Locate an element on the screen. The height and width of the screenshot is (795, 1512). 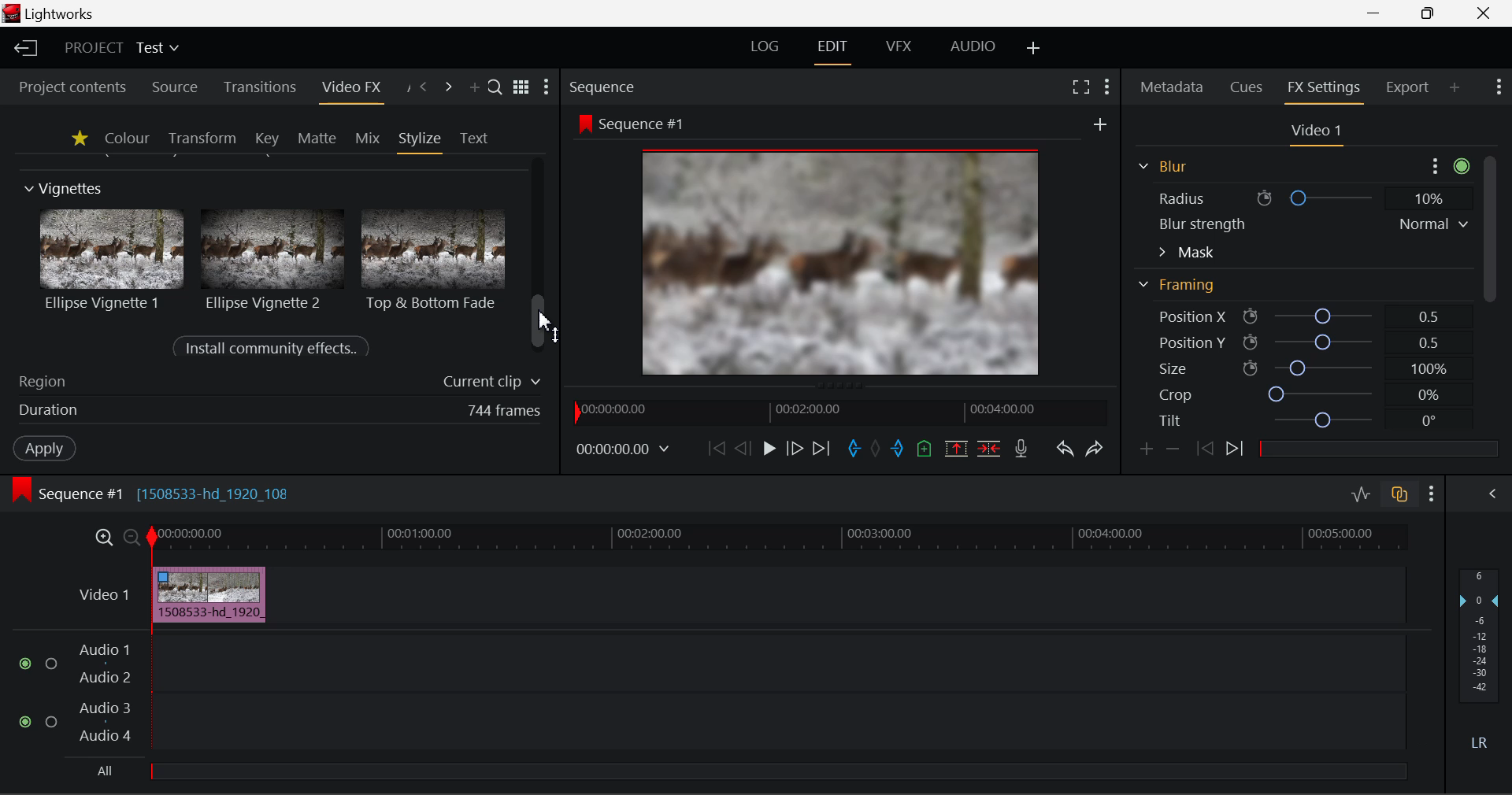
Metadata Panel is located at coordinates (1170, 88).